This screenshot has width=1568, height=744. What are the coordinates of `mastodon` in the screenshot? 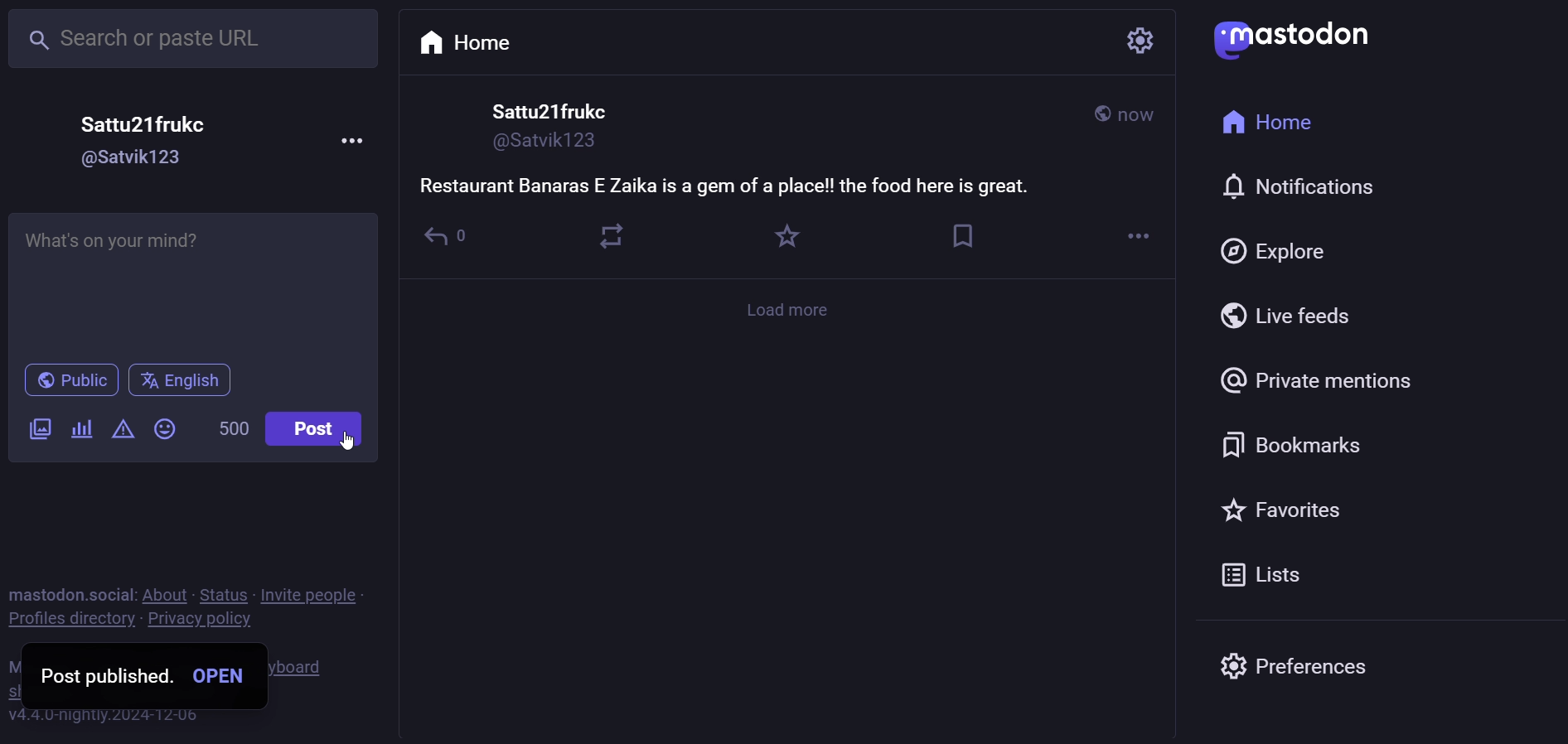 It's located at (1295, 37).